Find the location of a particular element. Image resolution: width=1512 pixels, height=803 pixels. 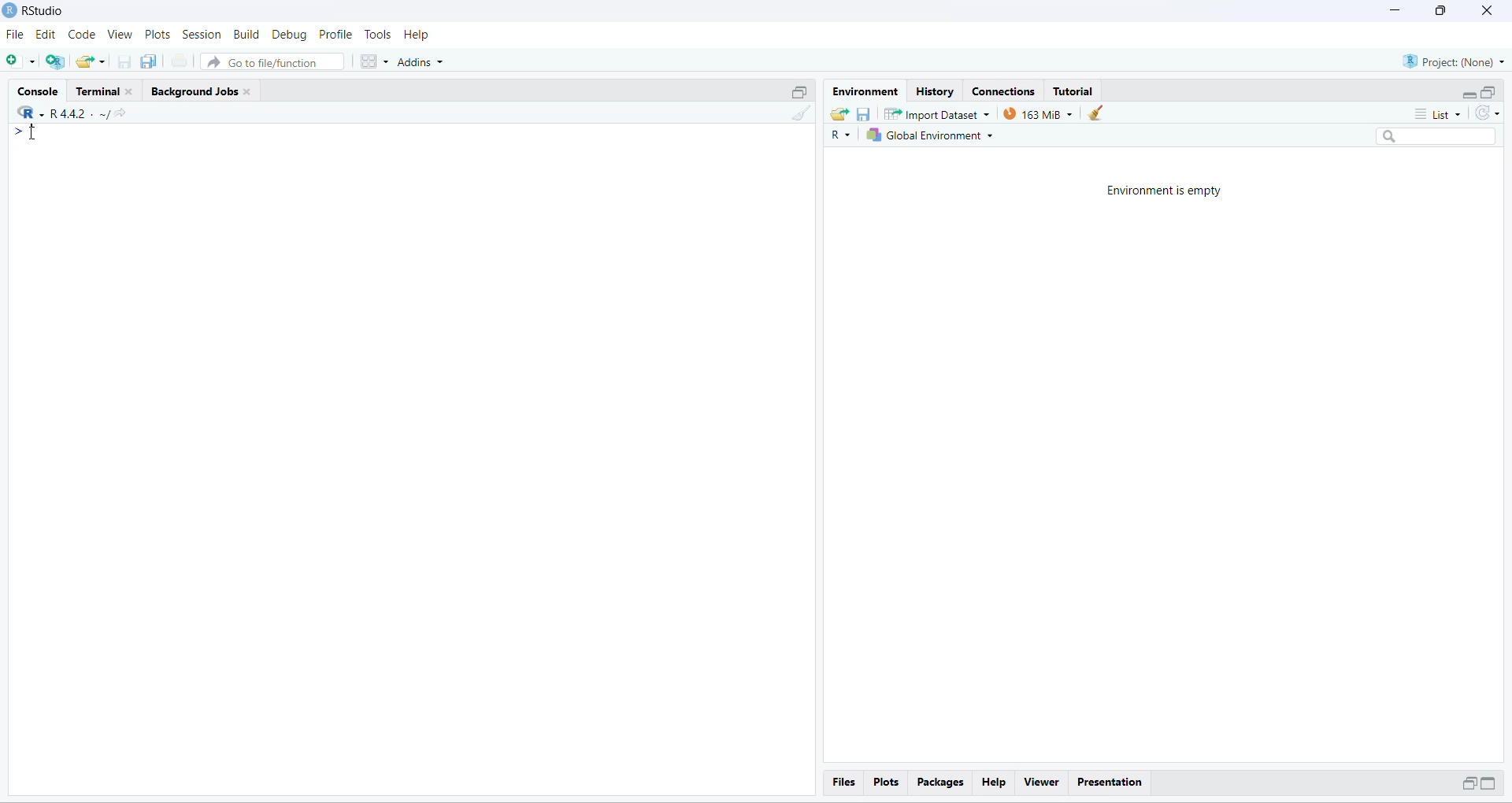

Plots is located at coordinates (884, 781).